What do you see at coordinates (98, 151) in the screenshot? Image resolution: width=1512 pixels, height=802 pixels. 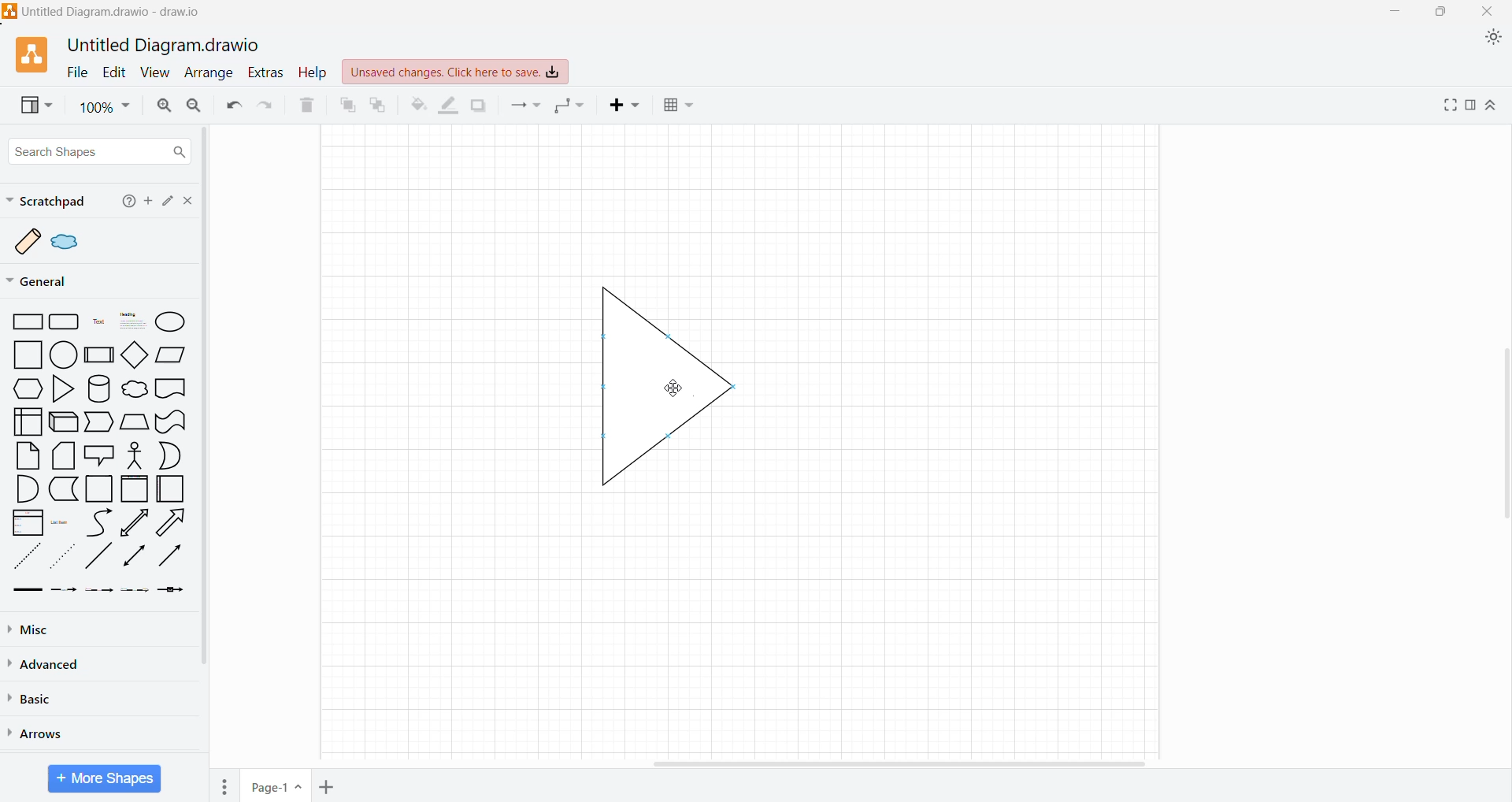 I see `Search Shapes` at bounding box center [98, 151].